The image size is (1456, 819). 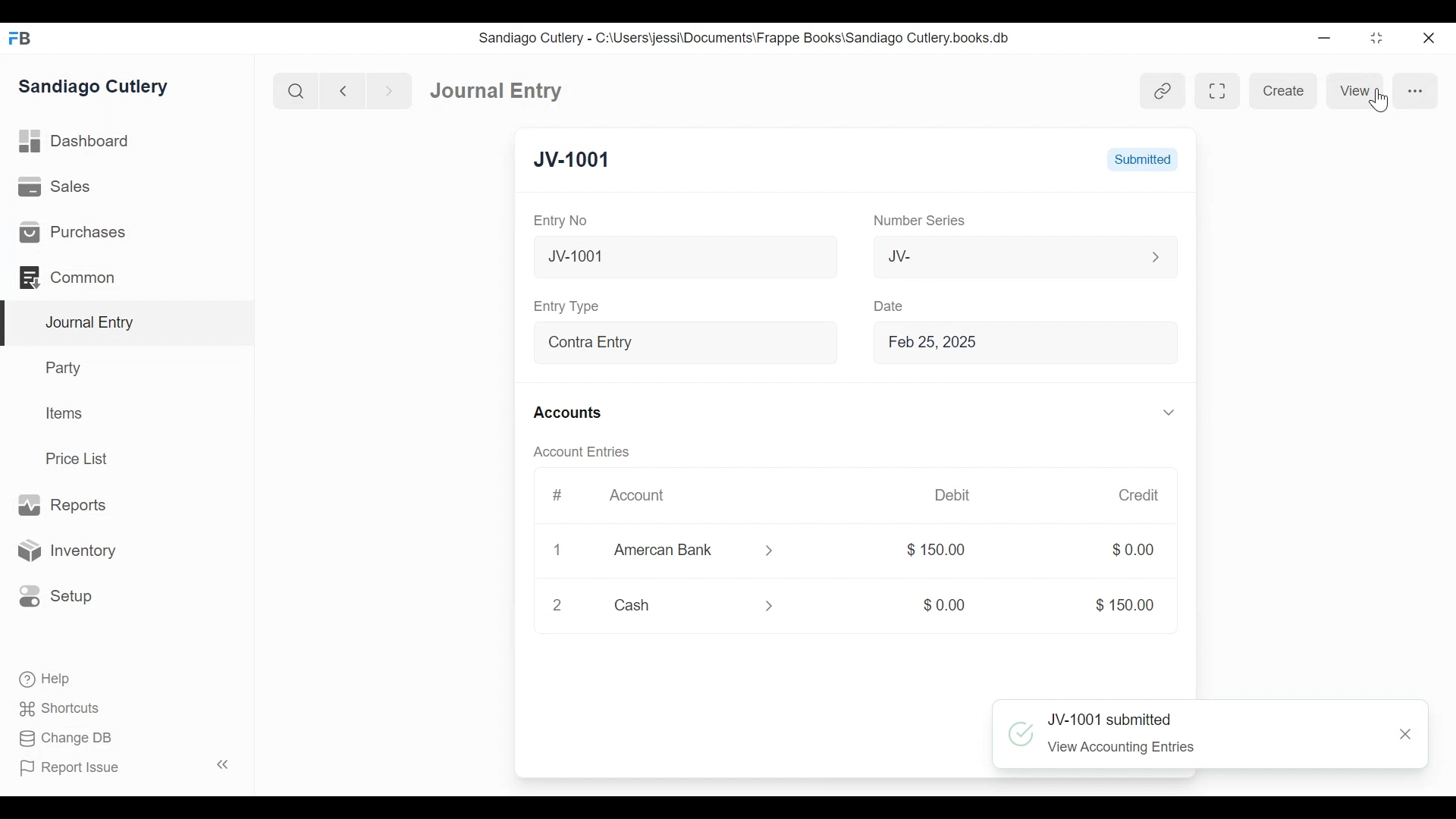 What do you see at coordinates (71, 232) in the screenshot?
I see `Purchases` at bounding box center [71, 232].